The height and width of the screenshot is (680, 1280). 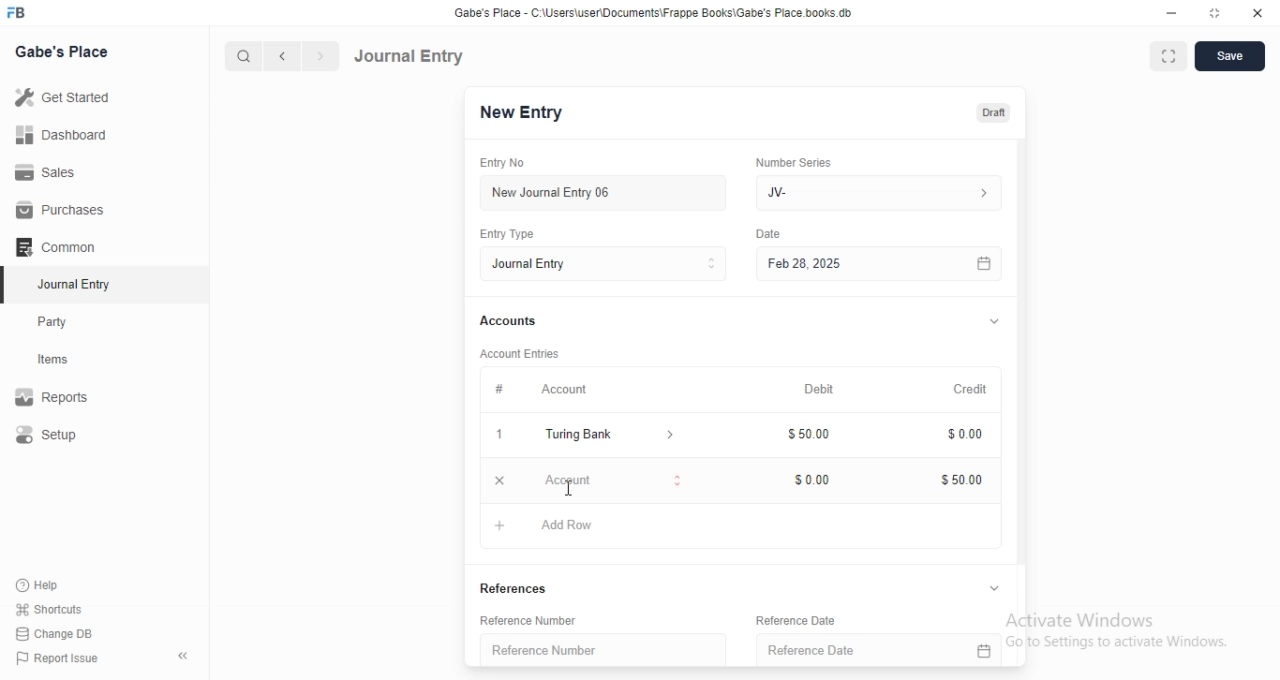 What do you see at coordinates (66, 436) in the screenshot?
I see `Setup` at bounding box center [66, 436].